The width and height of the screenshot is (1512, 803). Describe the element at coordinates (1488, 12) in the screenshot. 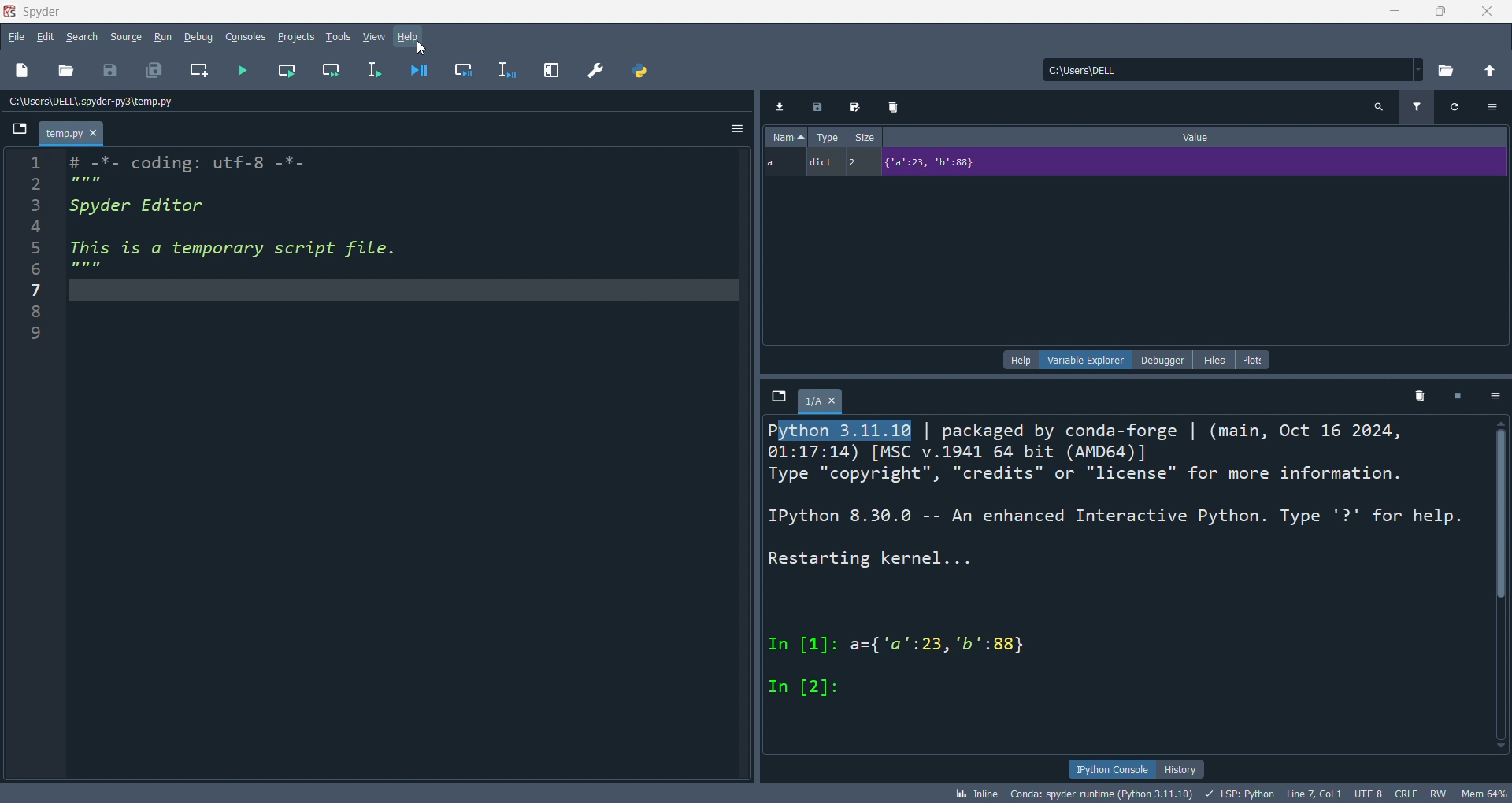

I see `close` at that location.